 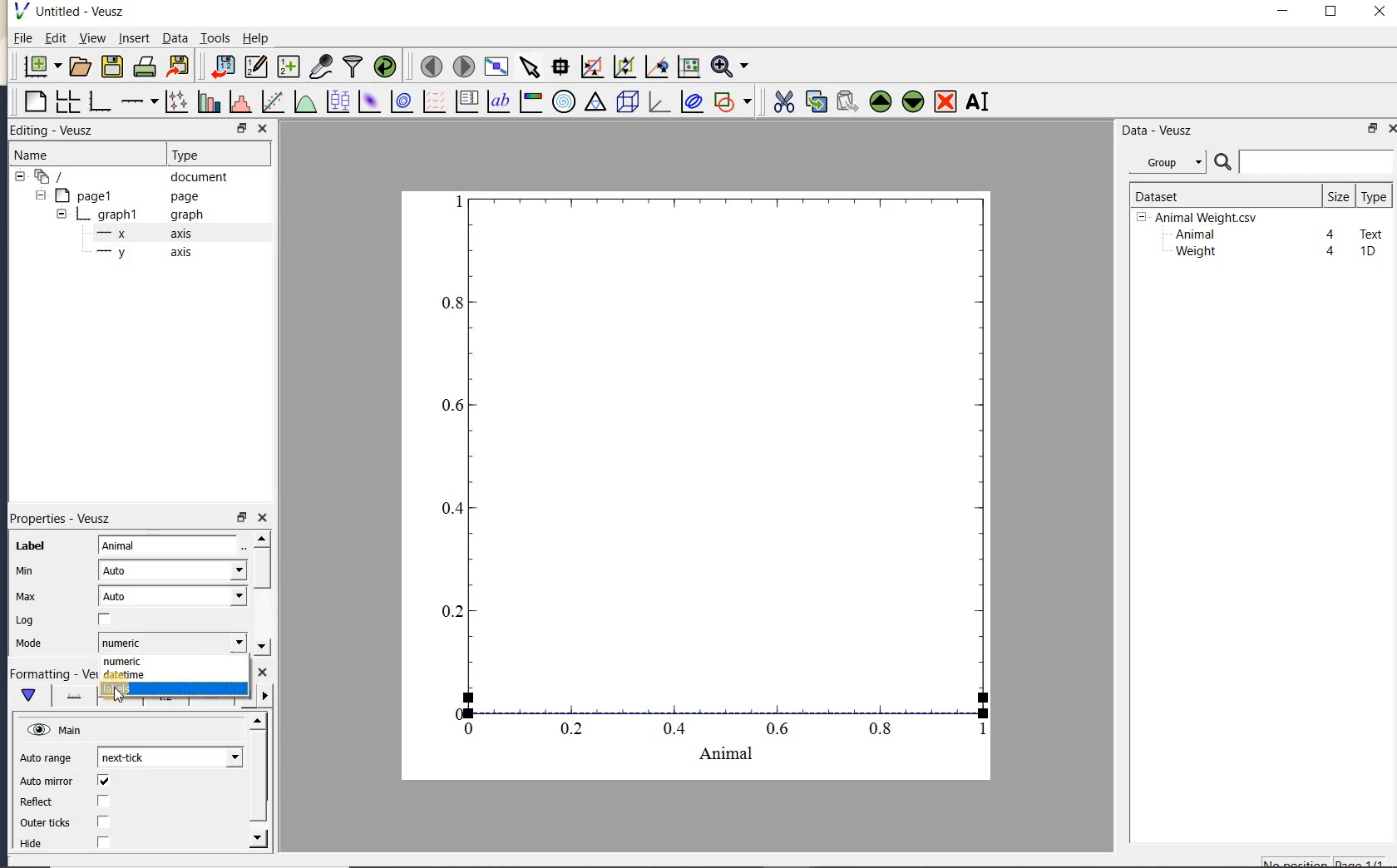 I want to click on plot a vector field, so click(x=432, y=102).